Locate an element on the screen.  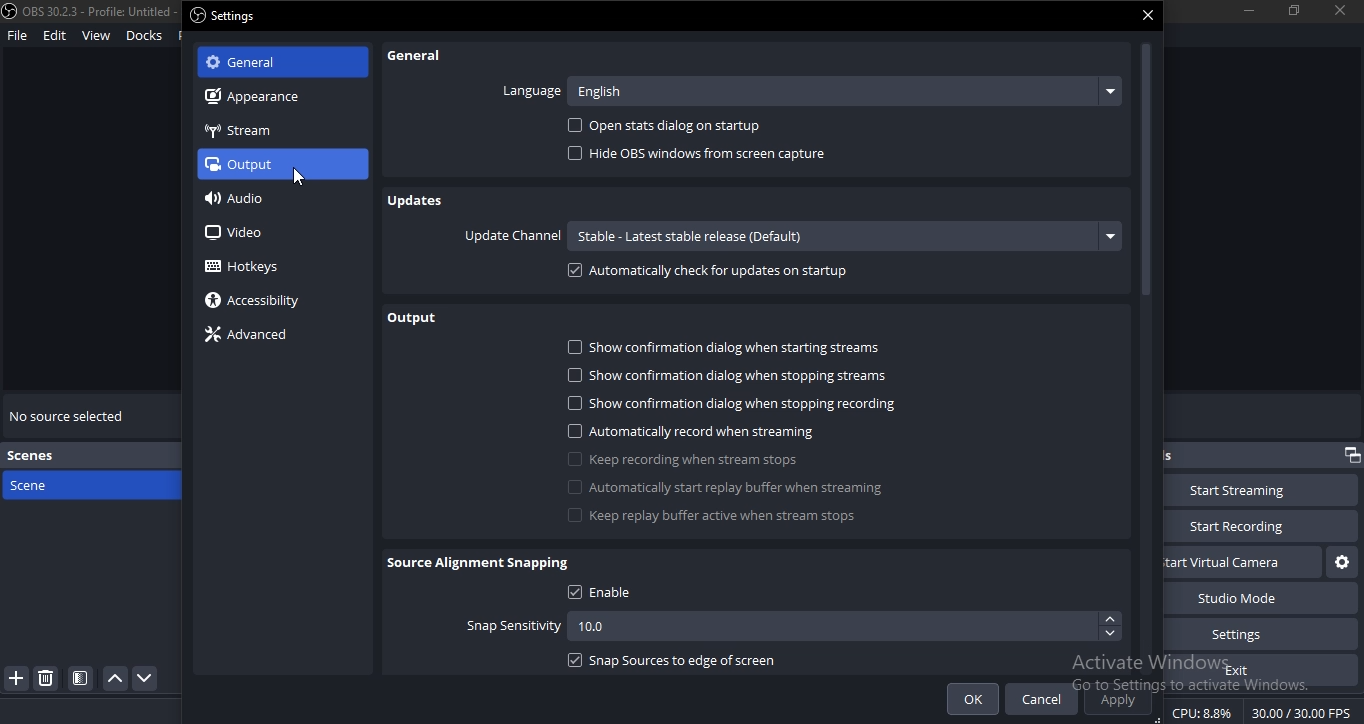
delete scene is located at coordinates (47, 681).